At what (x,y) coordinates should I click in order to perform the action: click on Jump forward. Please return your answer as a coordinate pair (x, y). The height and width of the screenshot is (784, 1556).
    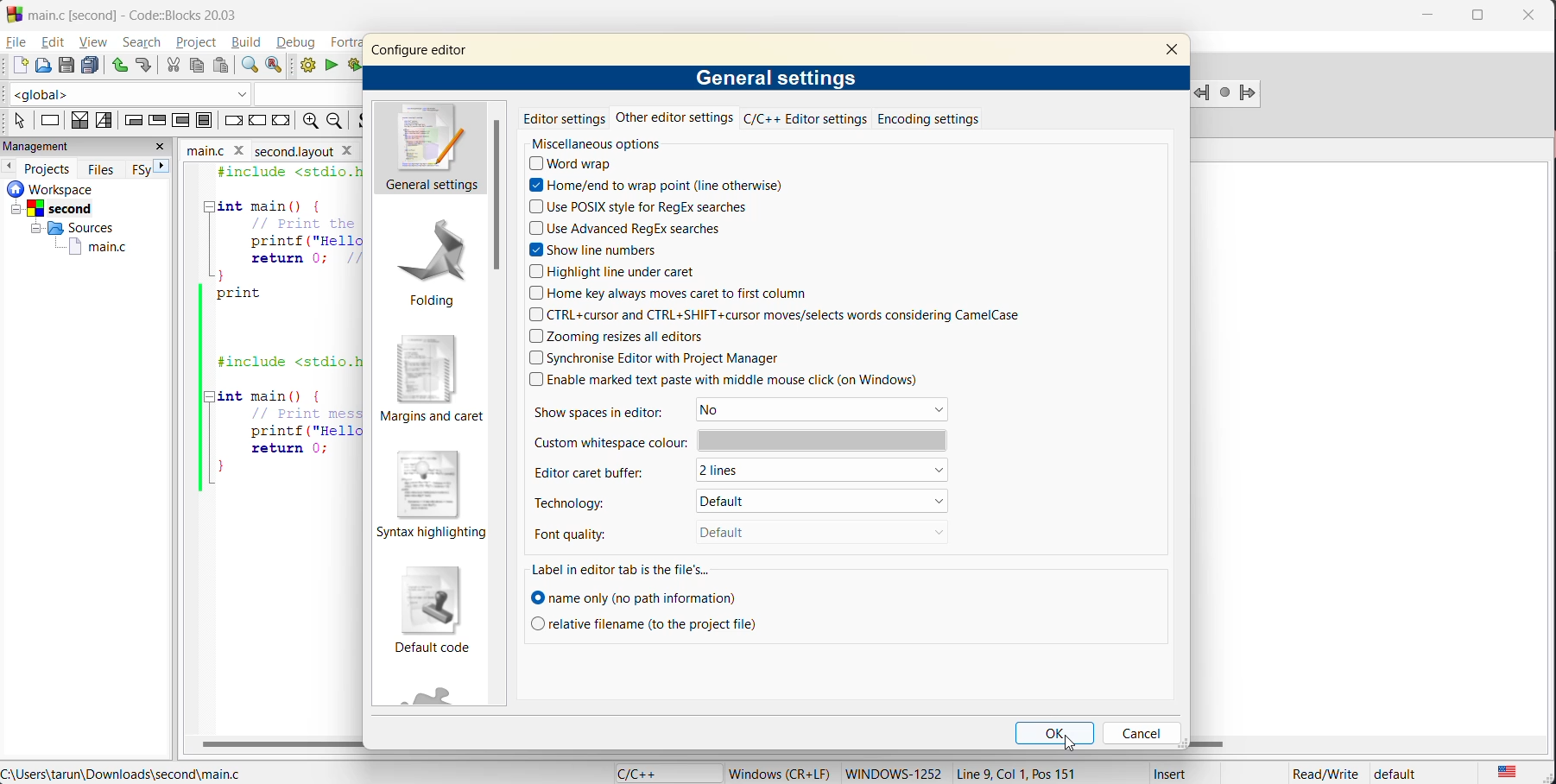
    Looking at the image, I should click on (1249, 91).